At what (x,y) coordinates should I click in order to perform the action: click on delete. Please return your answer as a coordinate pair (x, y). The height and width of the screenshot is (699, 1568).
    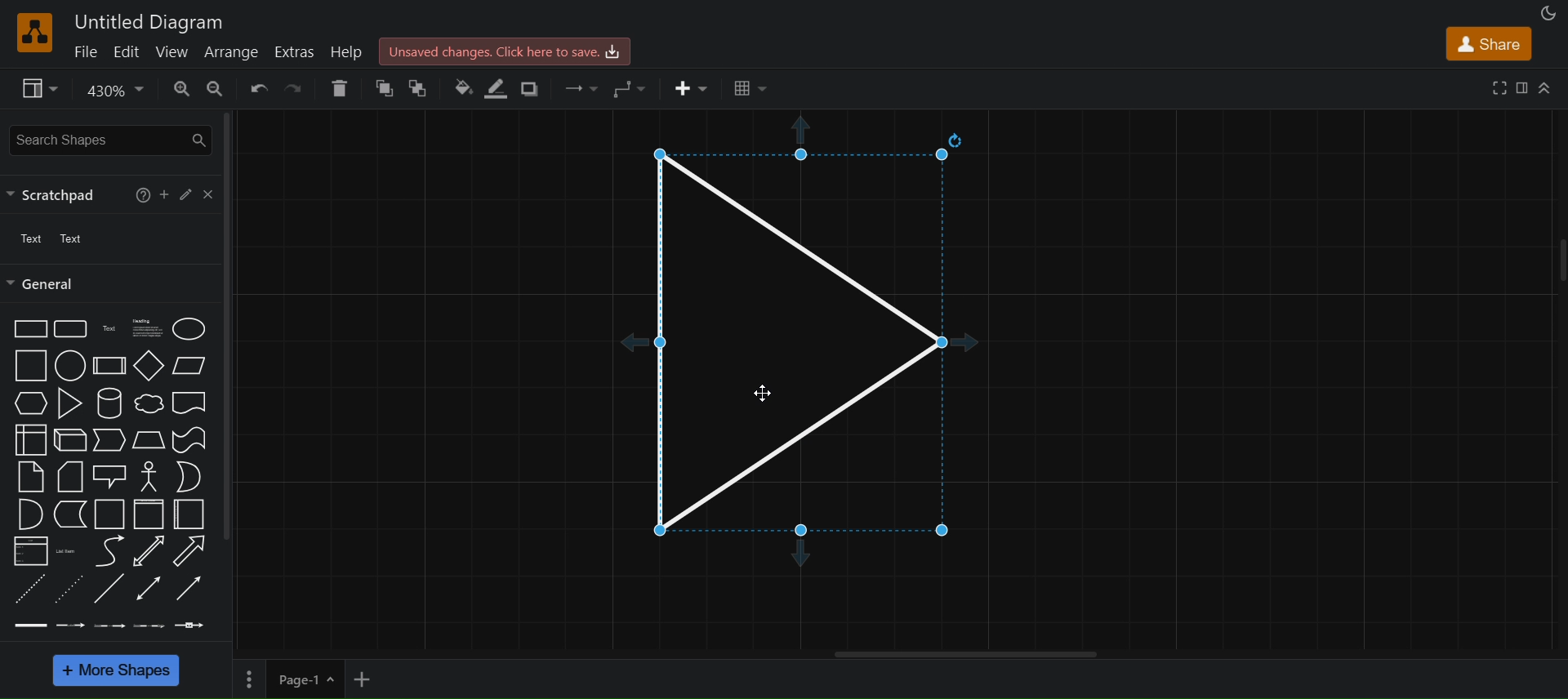
    Looking at the image, I should click on (338, 88).